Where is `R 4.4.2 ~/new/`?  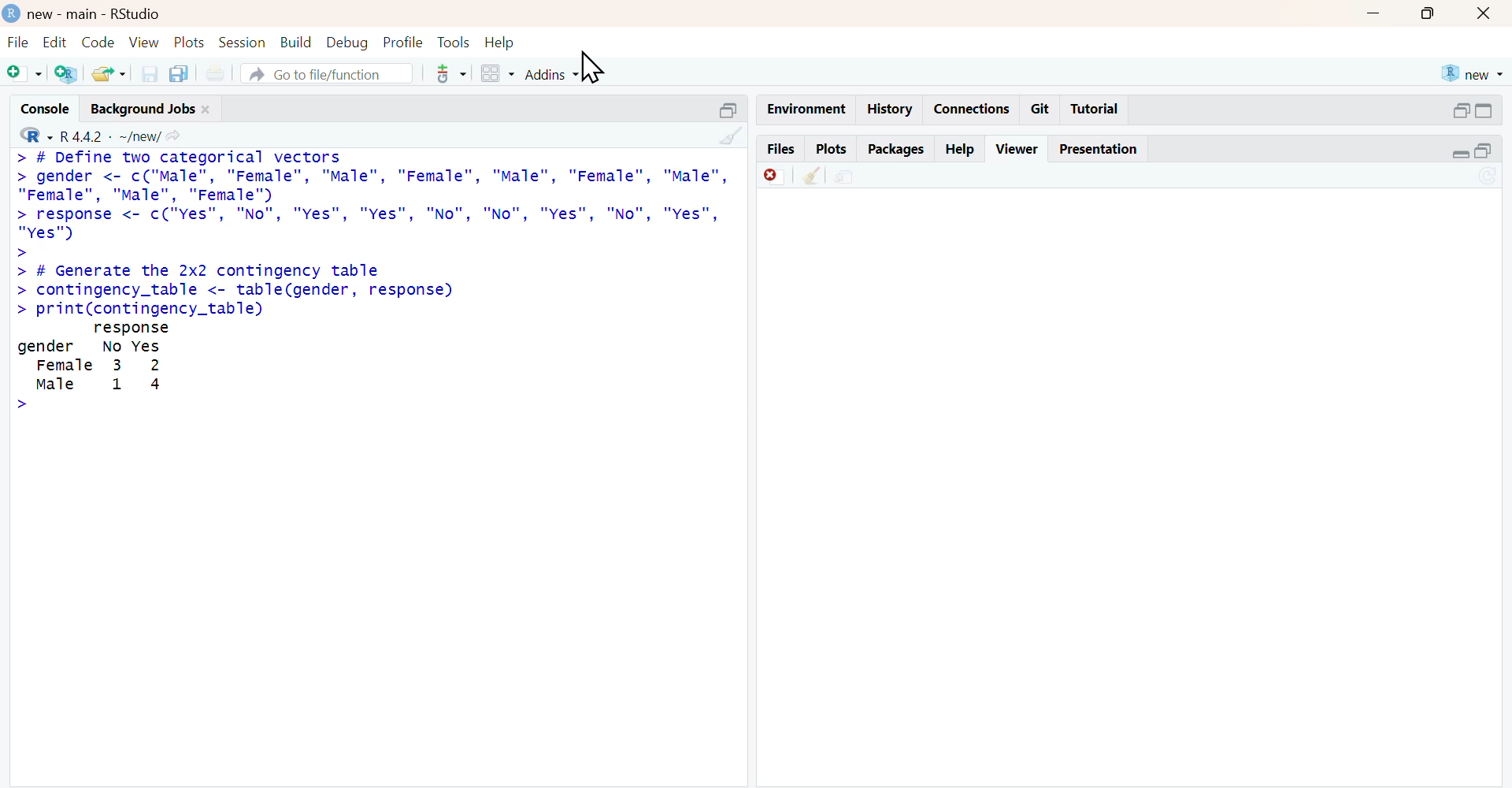
R 4.4.2 ~/new/ is located at coordinates (111, 137).